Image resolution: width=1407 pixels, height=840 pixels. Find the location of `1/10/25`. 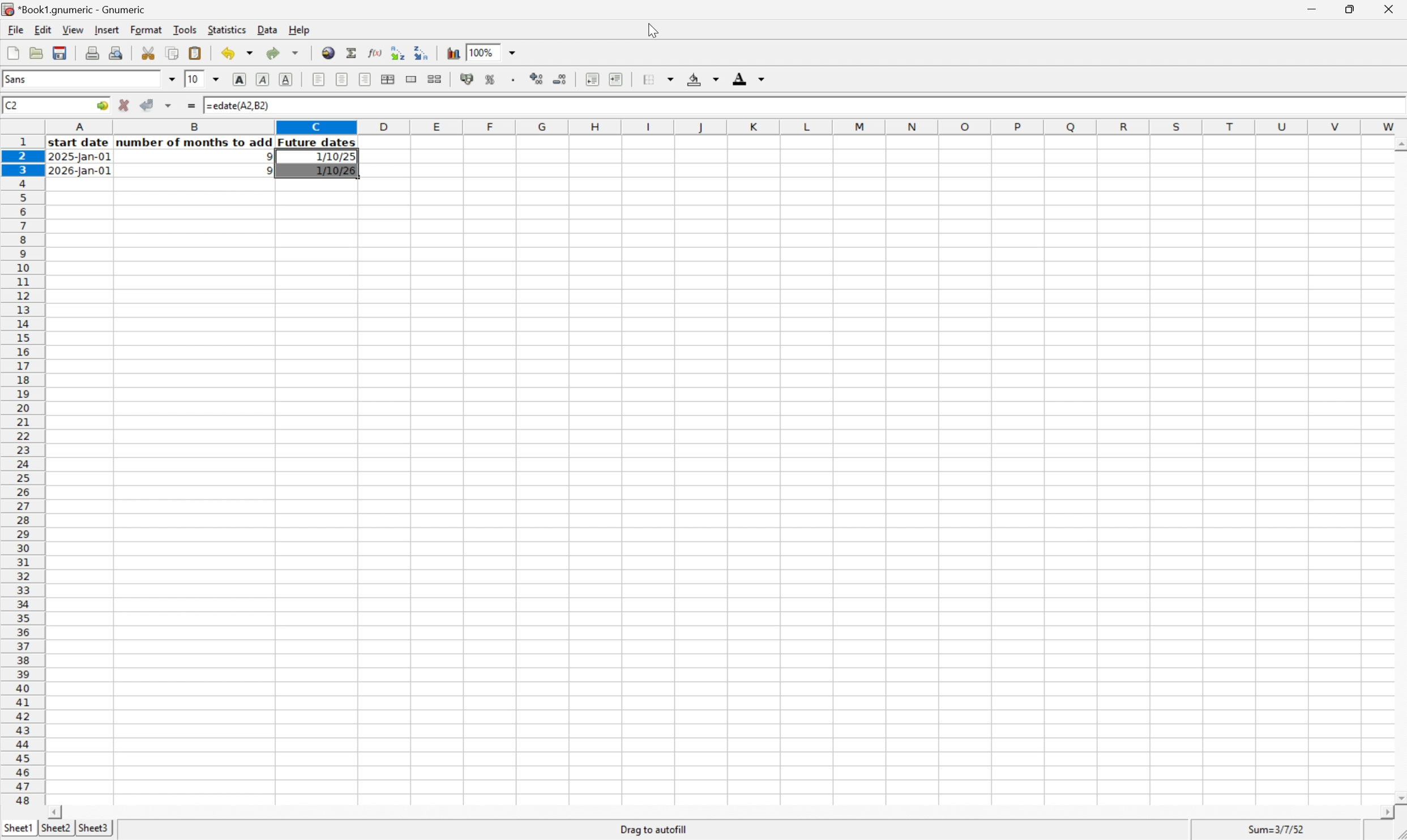

1/10/25 is located at coordinates (332, 157).